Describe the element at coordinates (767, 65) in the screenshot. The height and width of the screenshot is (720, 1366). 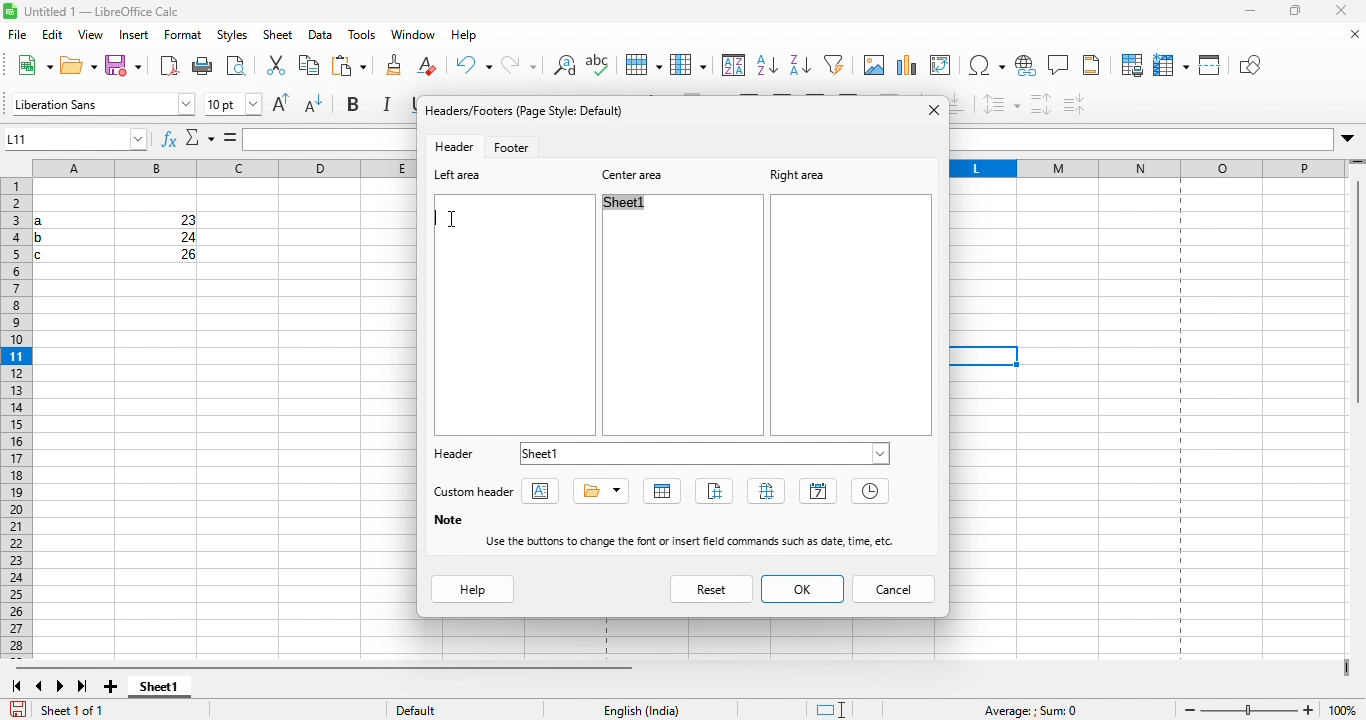
I see `sort descending ` at that location.